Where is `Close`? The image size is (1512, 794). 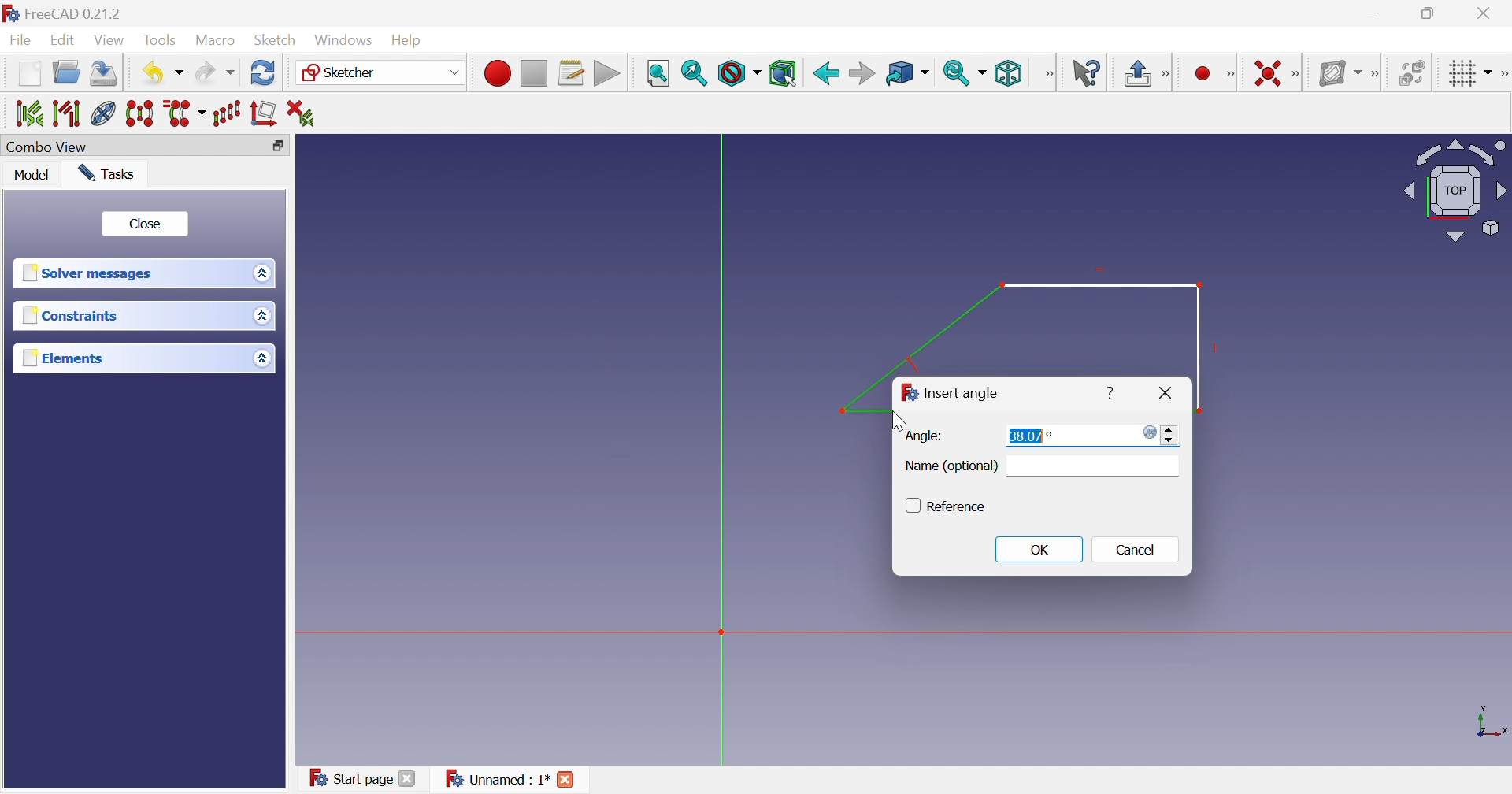 Close is located at coordinates (569, 781).